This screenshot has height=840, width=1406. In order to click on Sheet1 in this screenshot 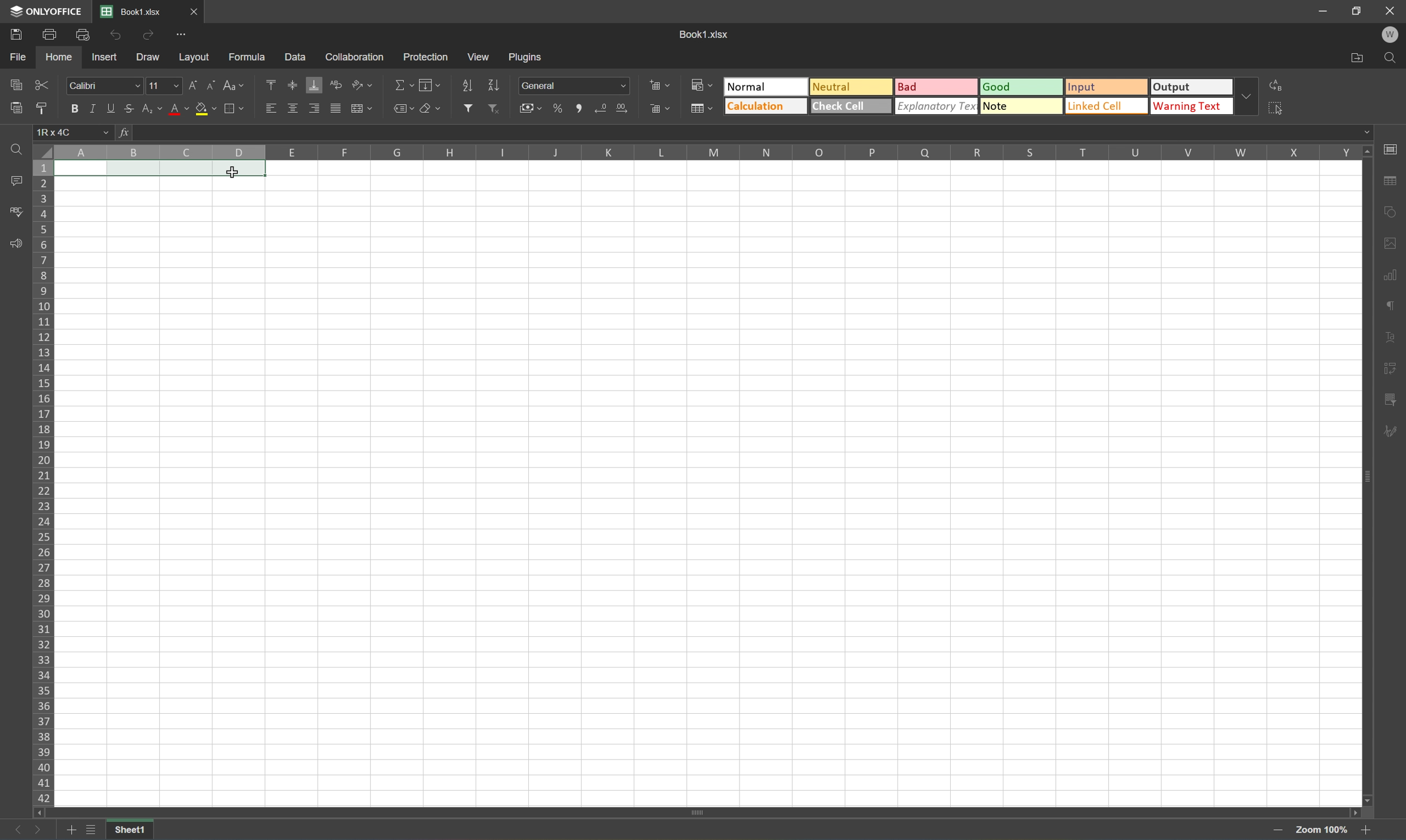, I will do `click(131, 831)`.